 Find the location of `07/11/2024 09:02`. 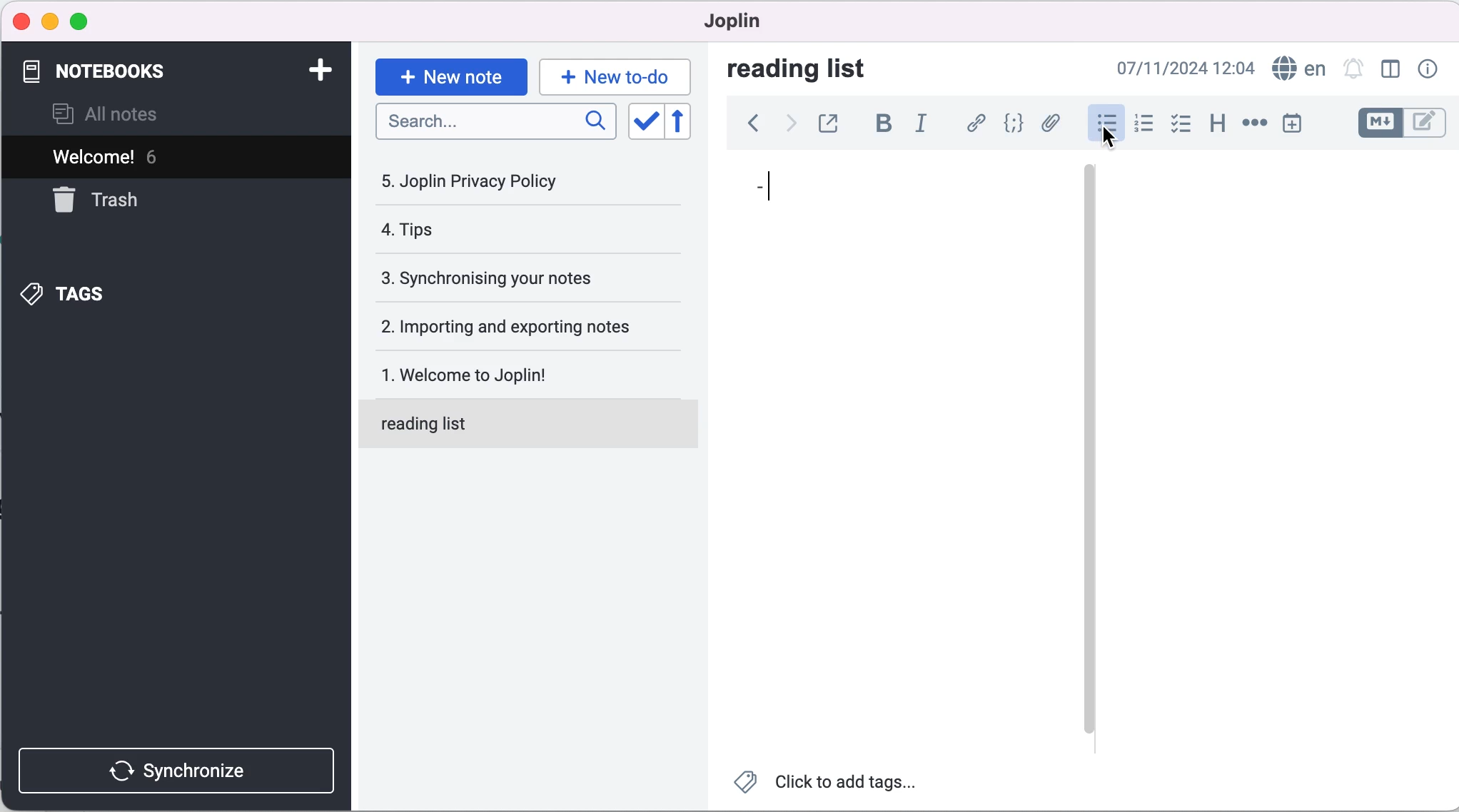

07/11/2024 09:02 is located at coordinates (1180, 68).